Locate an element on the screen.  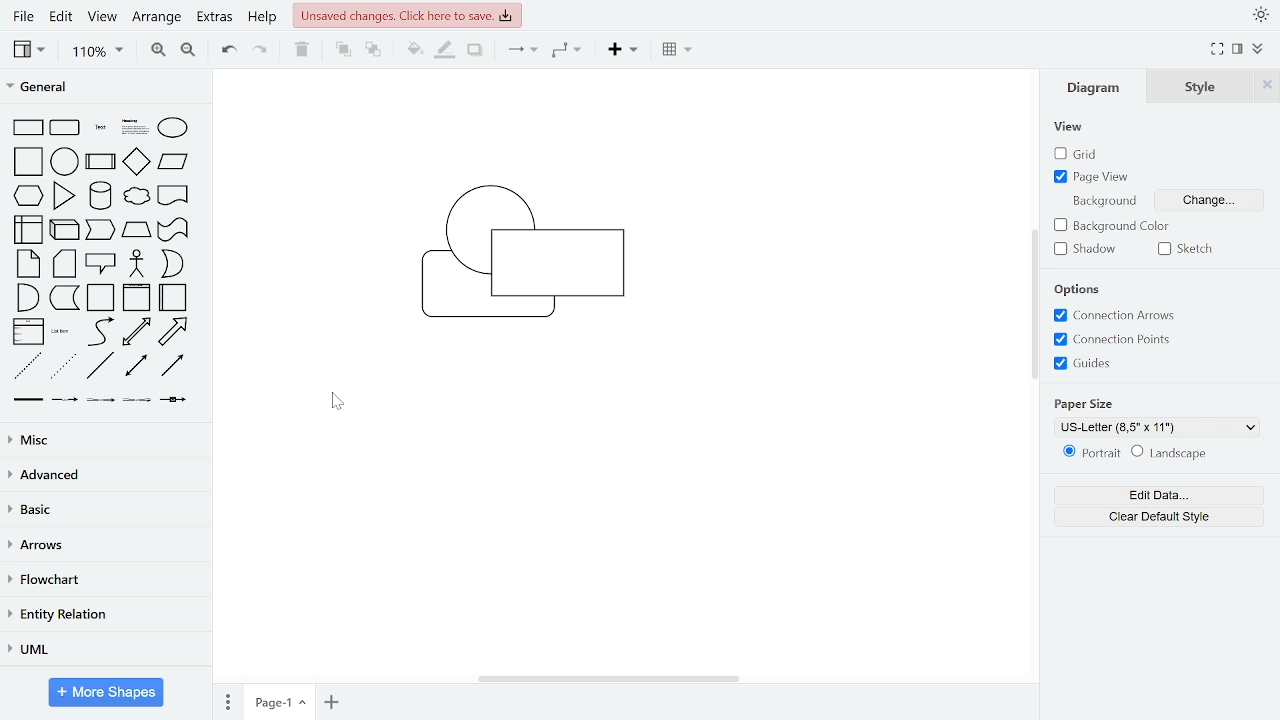
background color is located at coordinates (1119, 226).